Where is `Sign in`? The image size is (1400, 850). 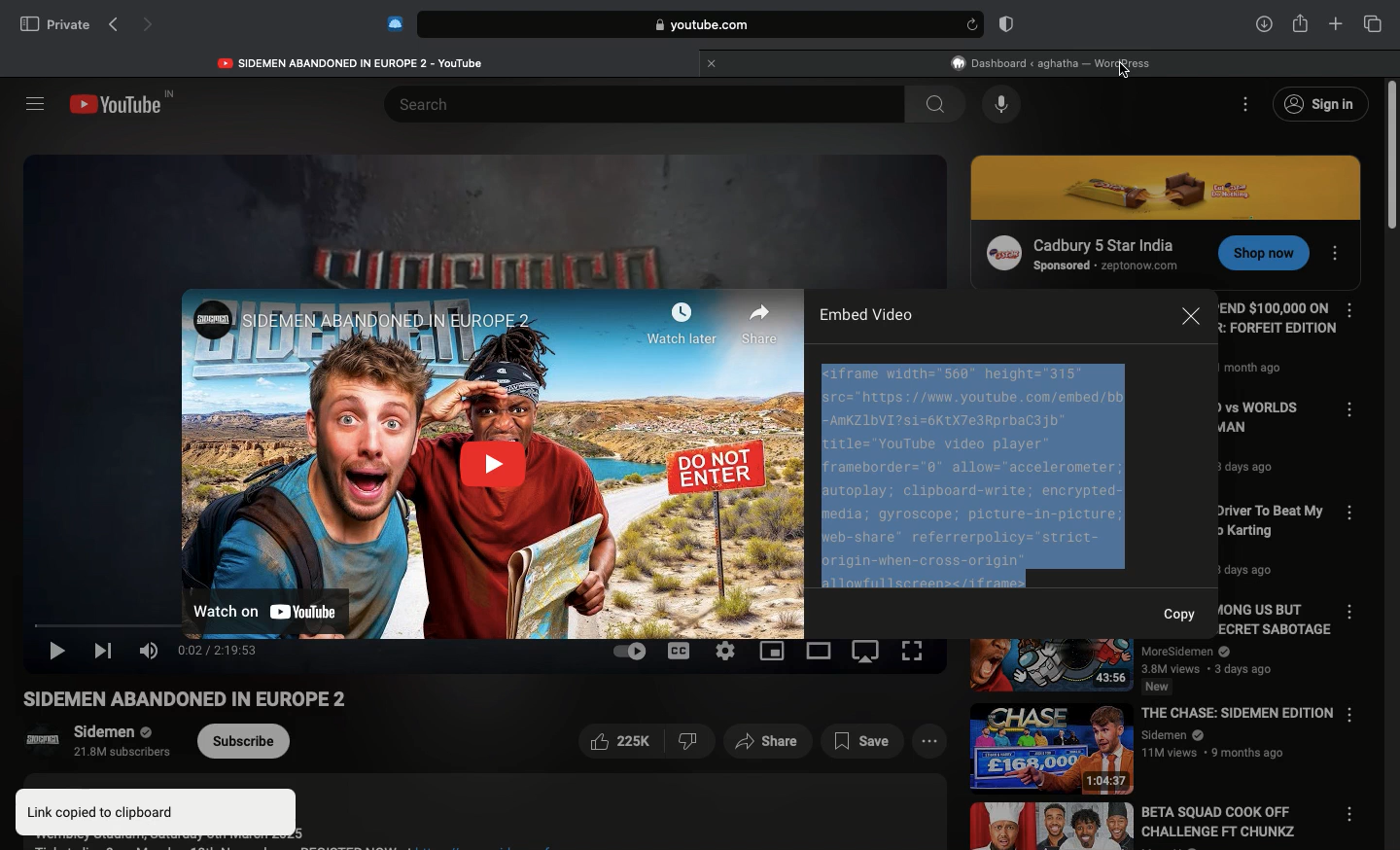 Sign in is located at coordinates (1319, 105).